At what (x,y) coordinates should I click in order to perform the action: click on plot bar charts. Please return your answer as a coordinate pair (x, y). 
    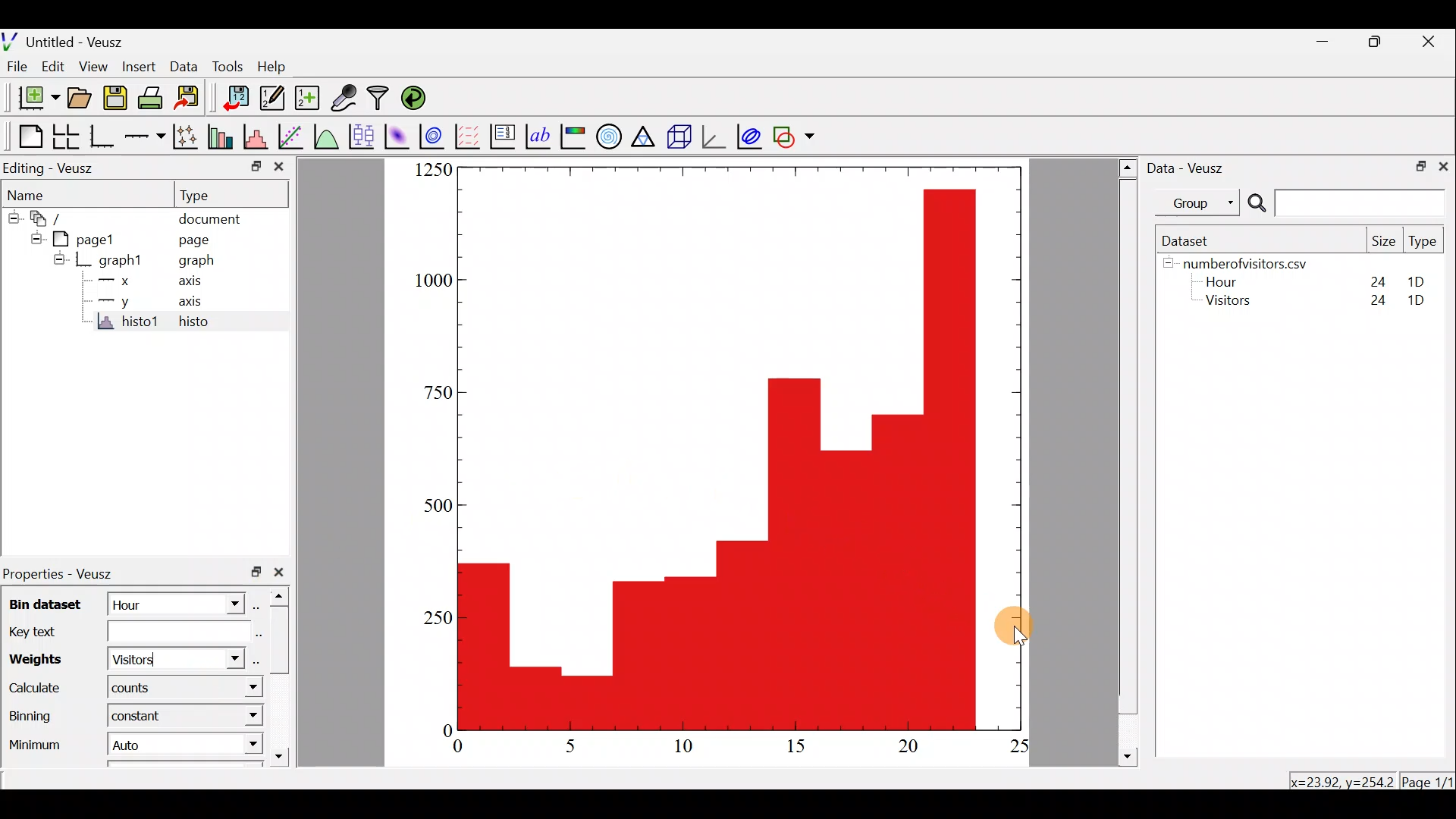
    Looking at the image, I should click on (220, 135).